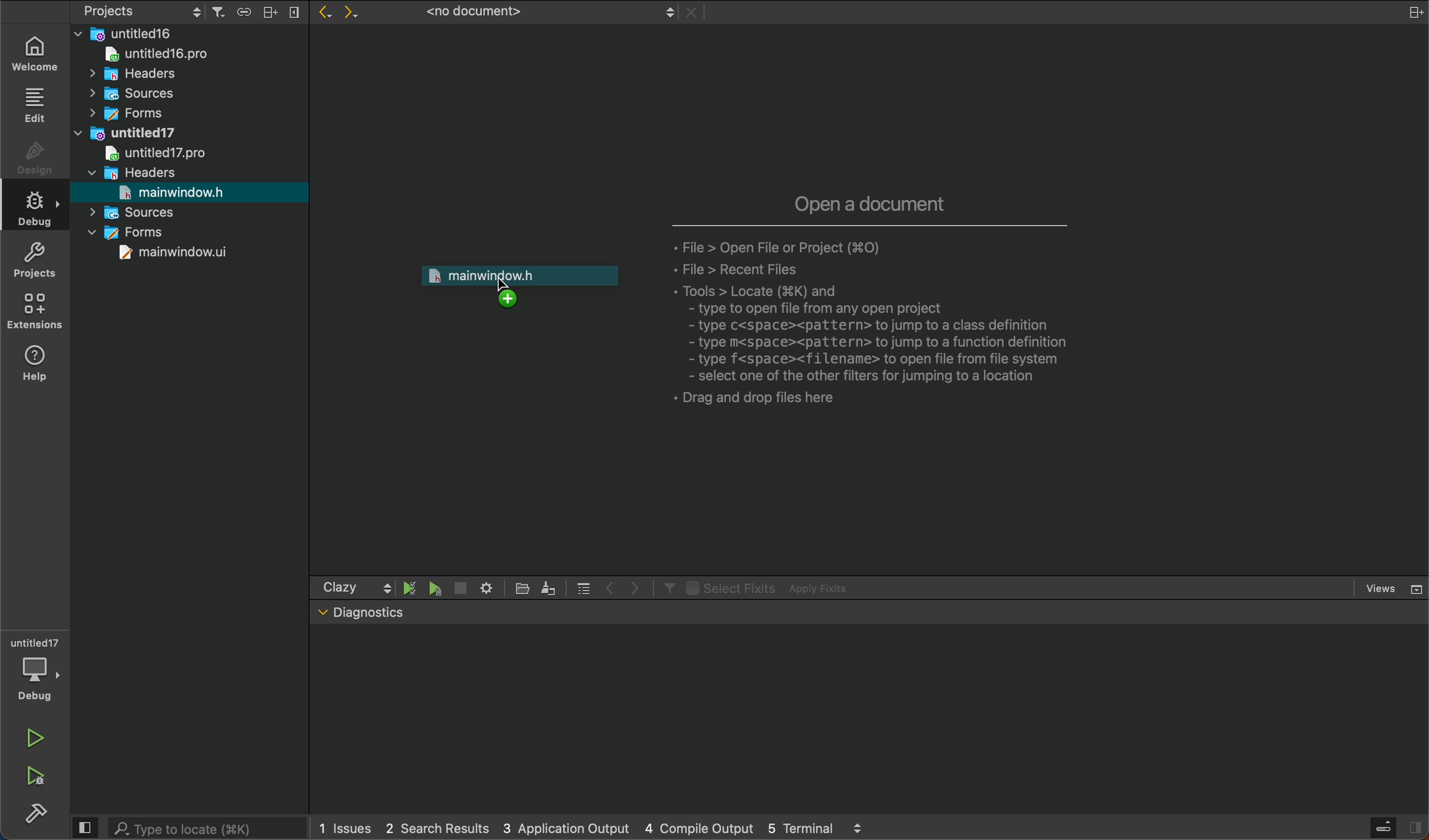 The image size is (1429, 840). Describe the element at coordinates (129, 94) in the screenshot. I see `Sources` at that location.